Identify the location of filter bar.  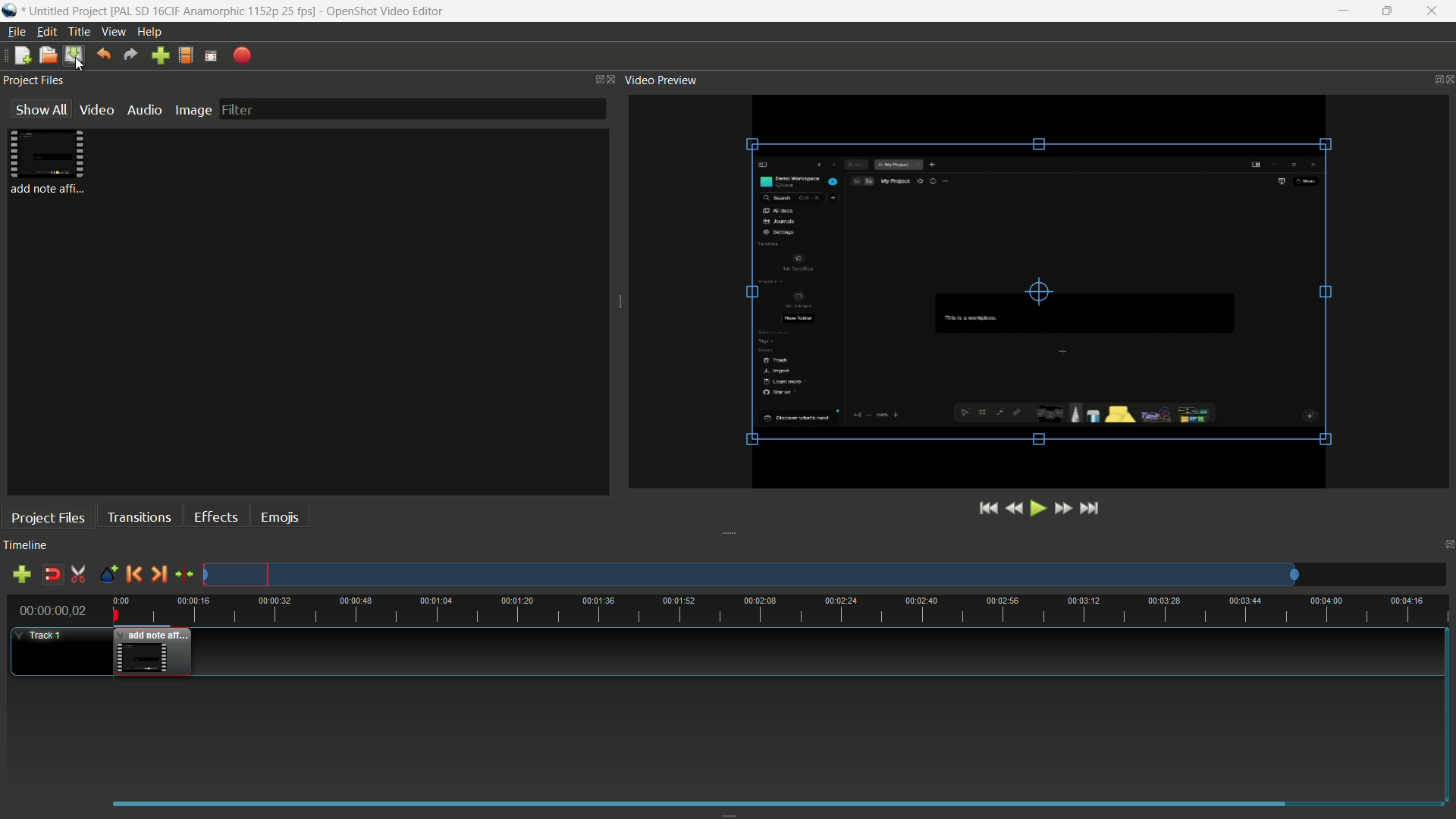
(414, 109).